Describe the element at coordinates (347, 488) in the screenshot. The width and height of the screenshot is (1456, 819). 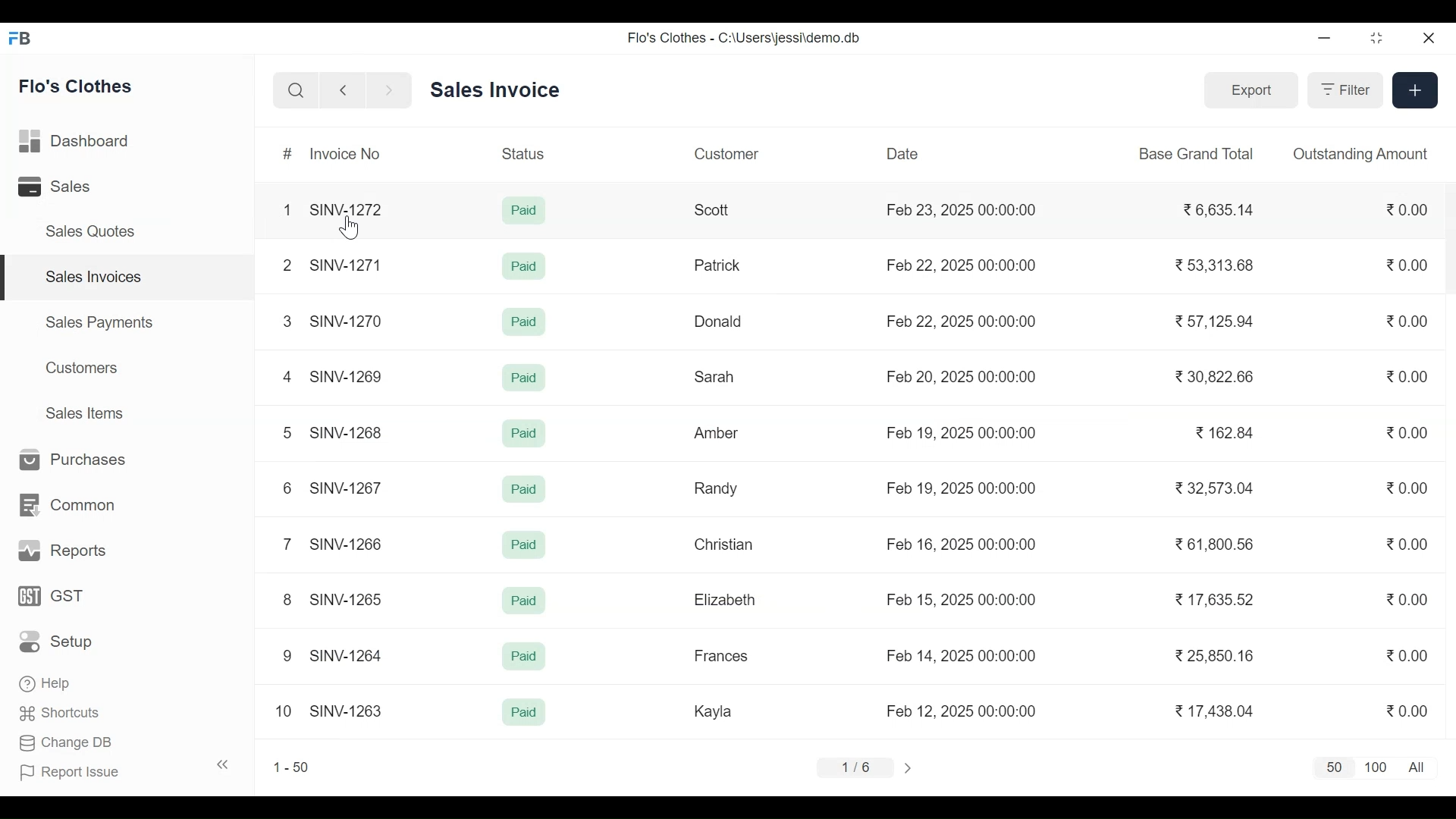
I see `SINV-1267` at that location.